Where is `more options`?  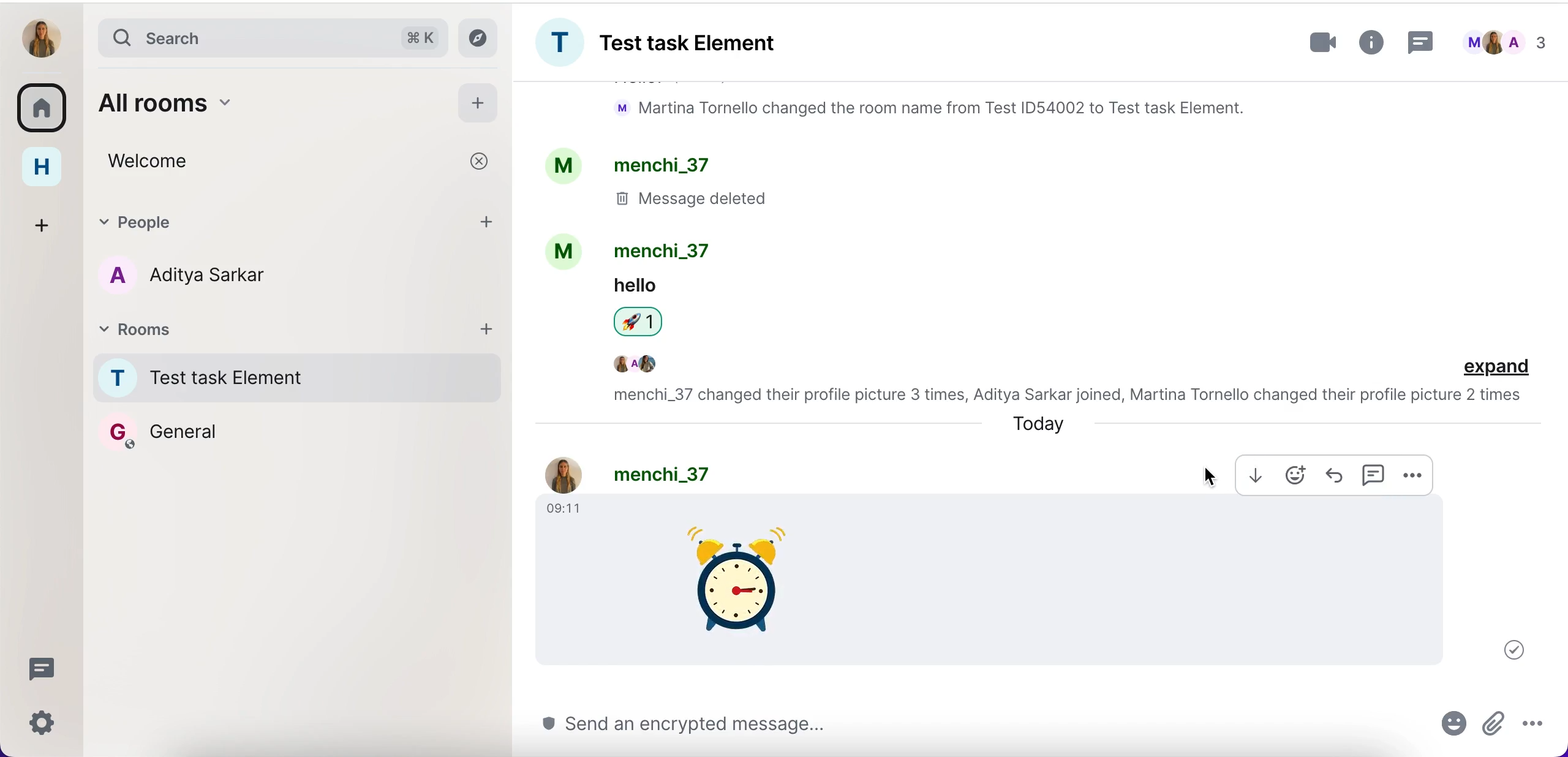 more options is located at coordinates (1412, 475).